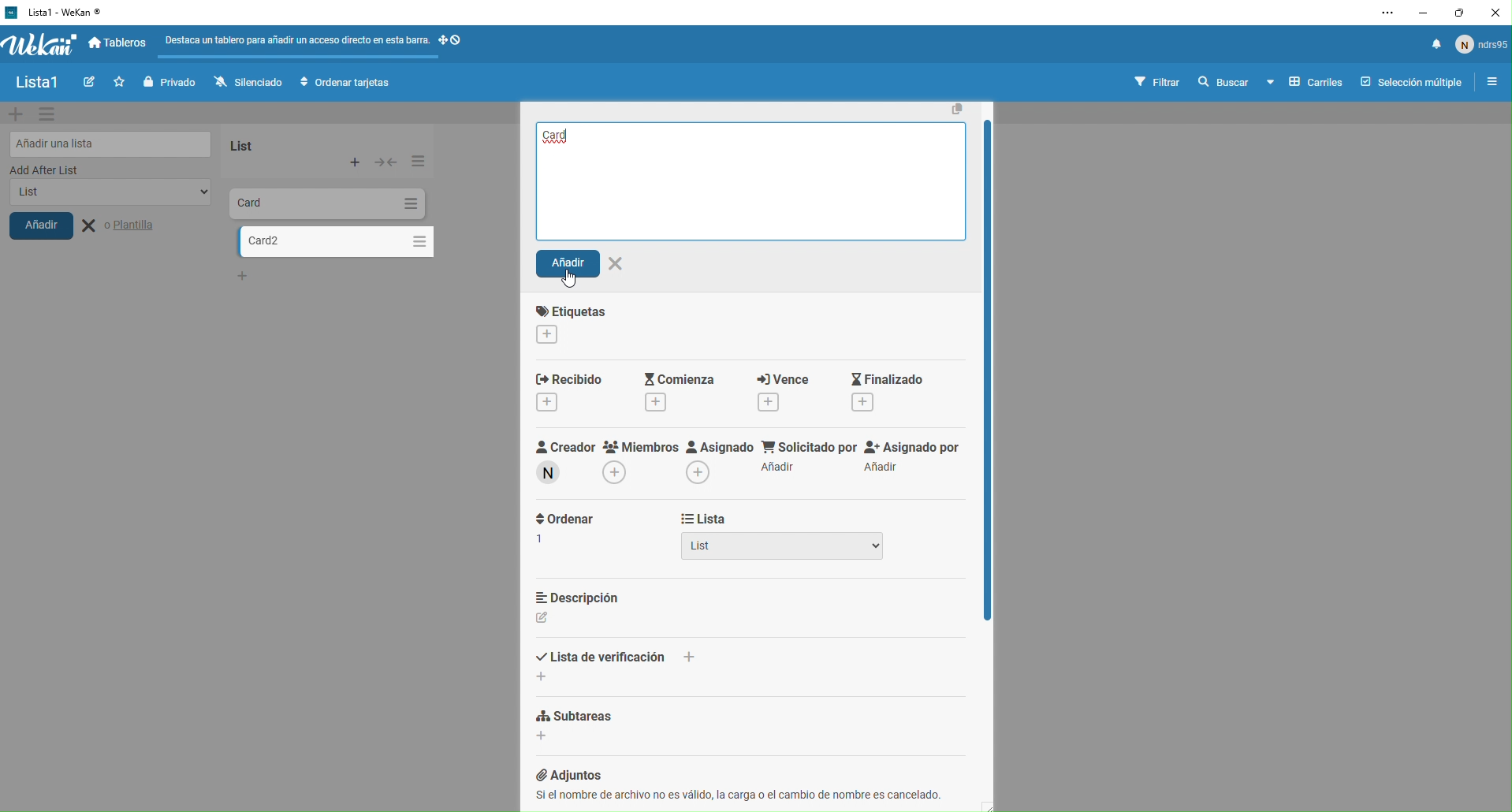  Describe the element at coordinates (464, 40) in the screenshot. I see `Symbols` at that location.